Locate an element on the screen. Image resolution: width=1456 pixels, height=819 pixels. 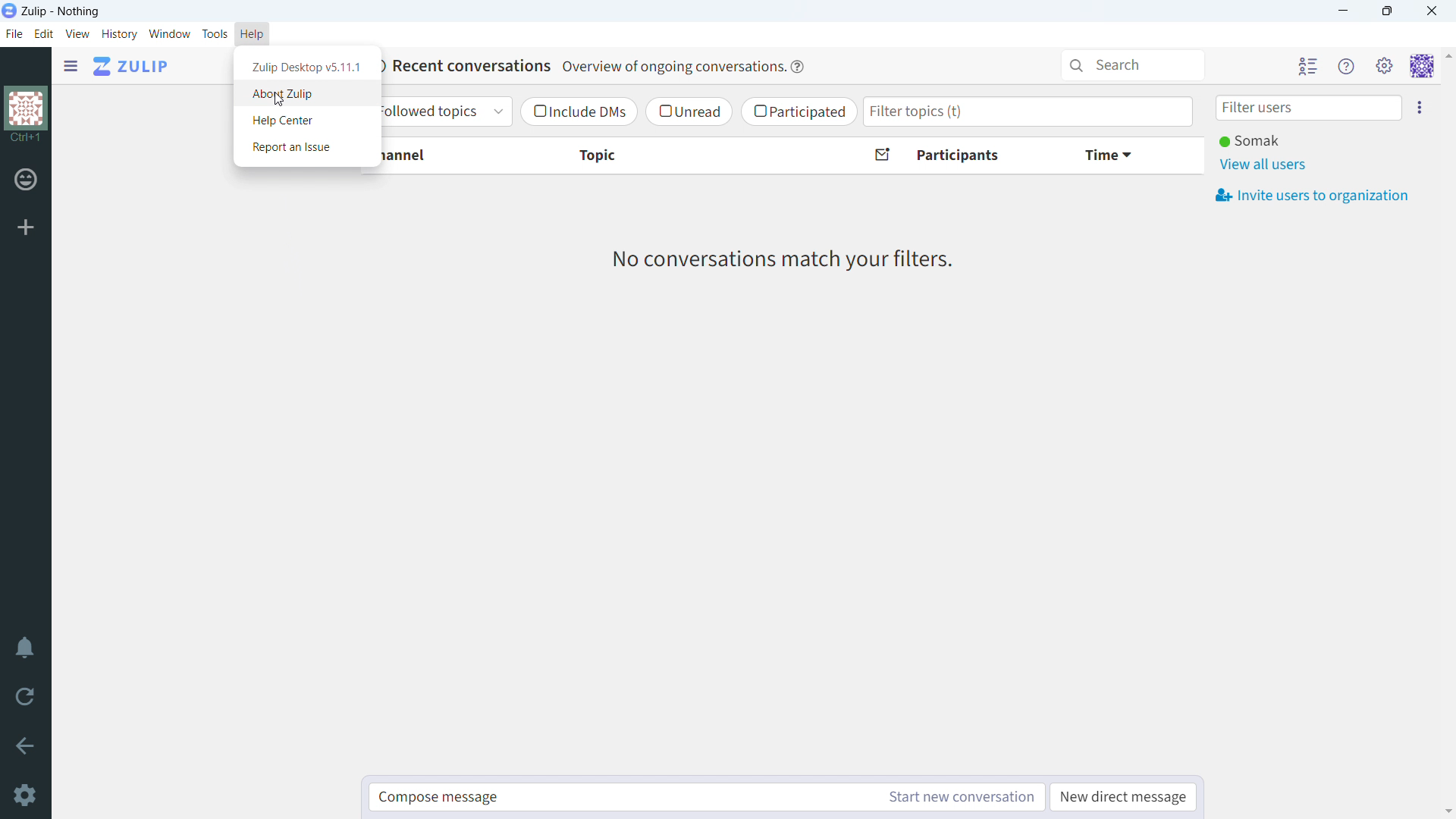
close is located at coordinates (1431, 11).